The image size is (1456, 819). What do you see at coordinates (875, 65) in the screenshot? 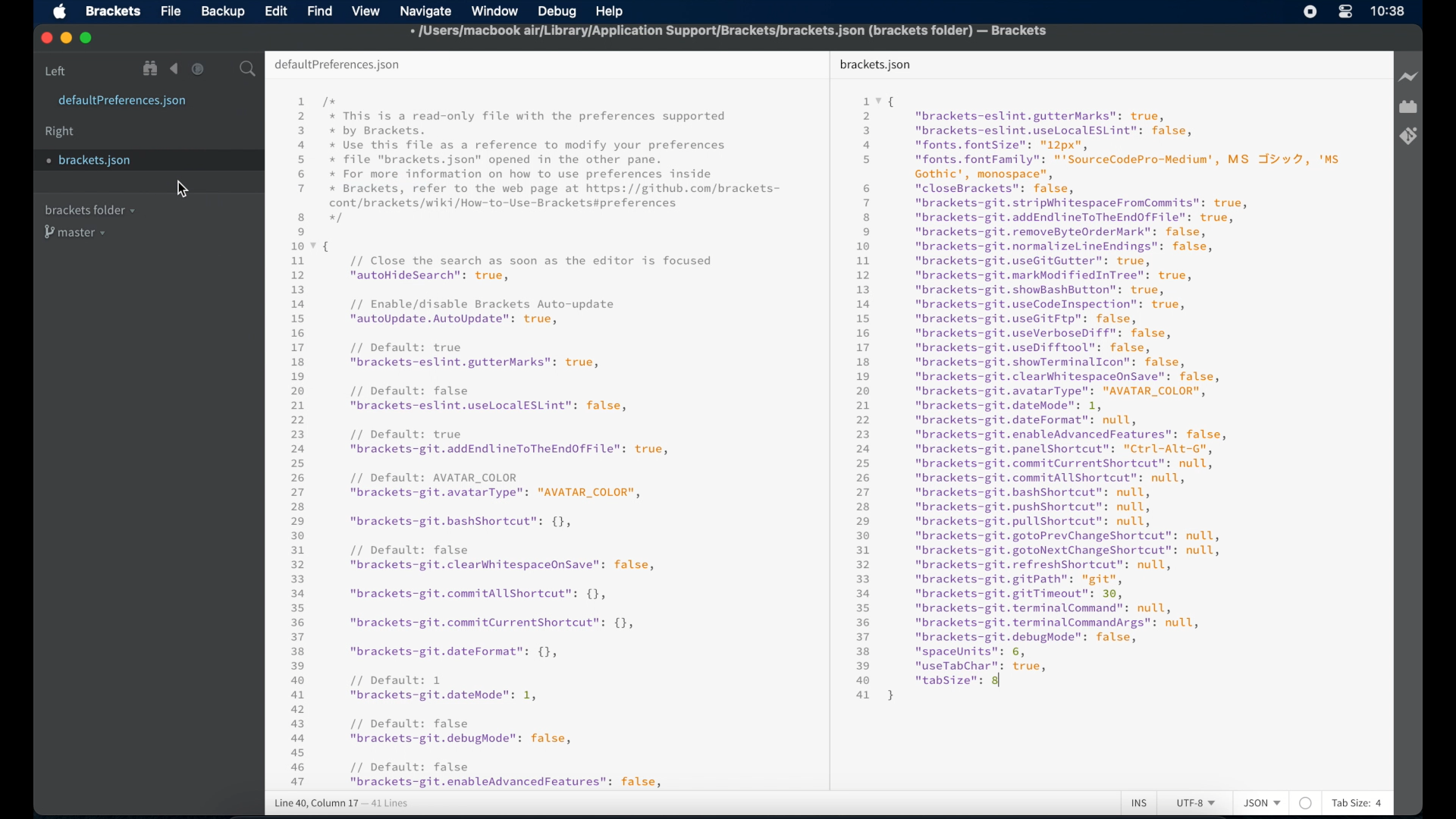
I see `brackets.json` at bounding box center [875, 65].